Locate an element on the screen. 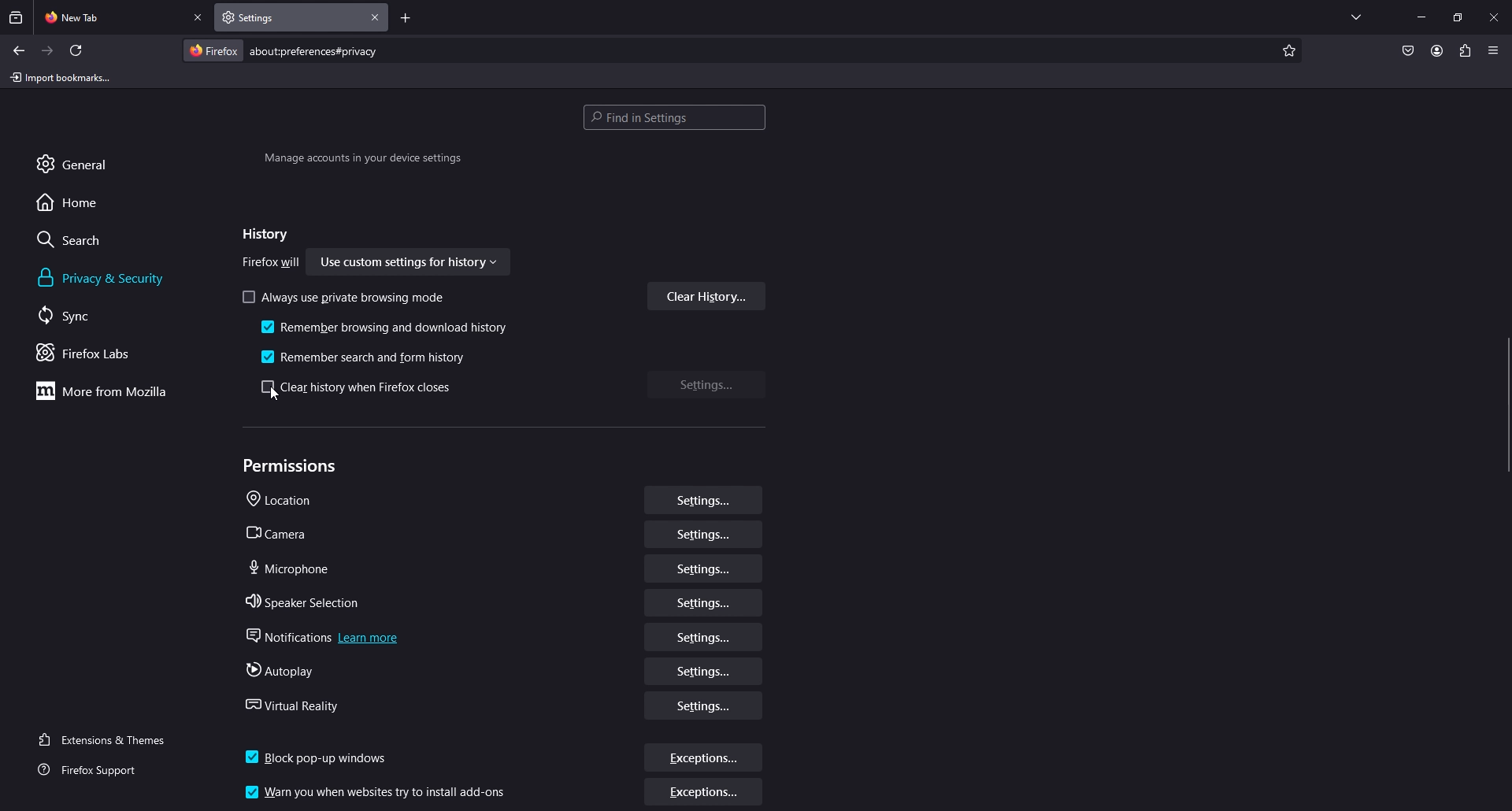  cursor is located at coordinates (274, 395).